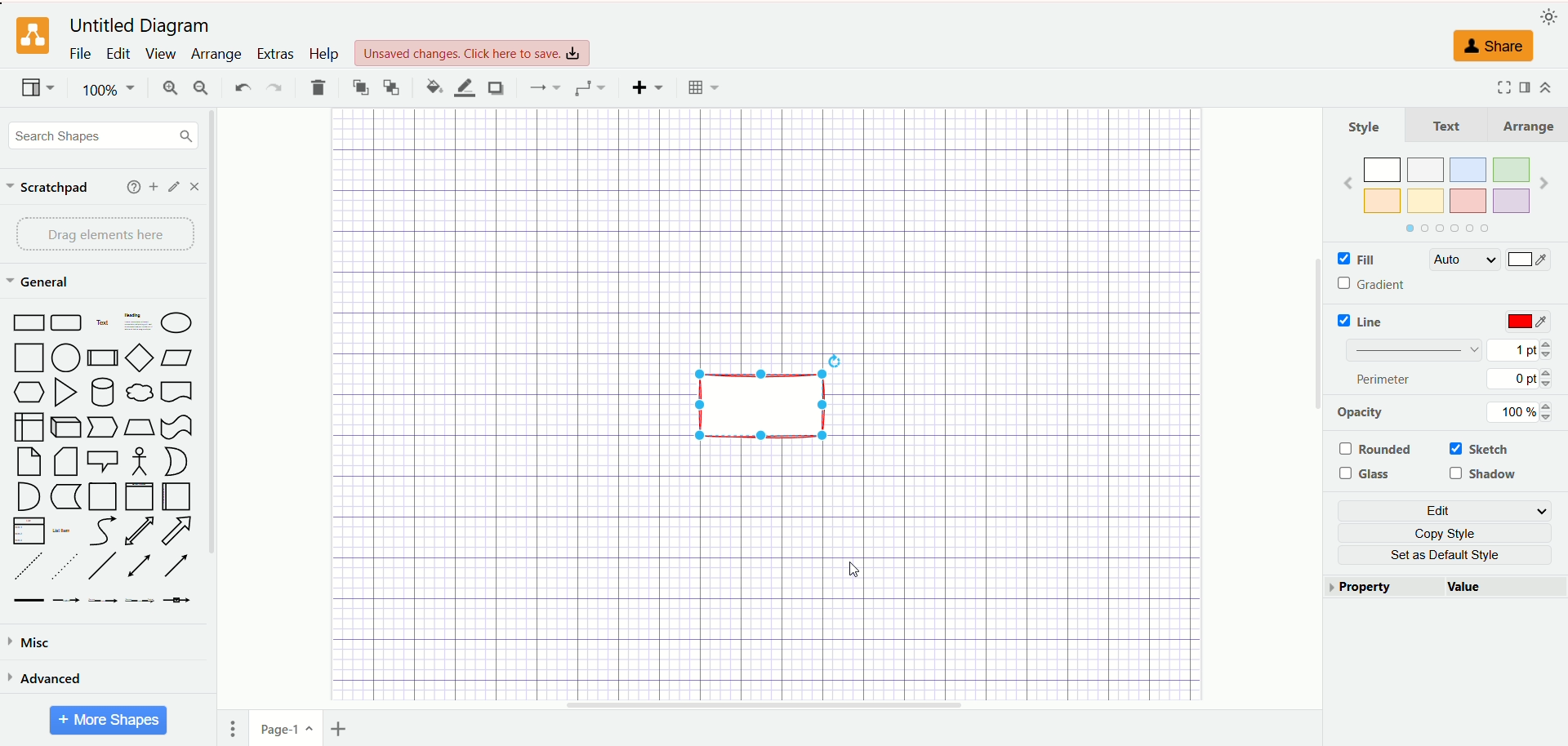 This screenshot has width=1568, height=746. What do you see at coordinates (316, 86) in the screenshot?
I see `delete` at bounding box center [316, 86].